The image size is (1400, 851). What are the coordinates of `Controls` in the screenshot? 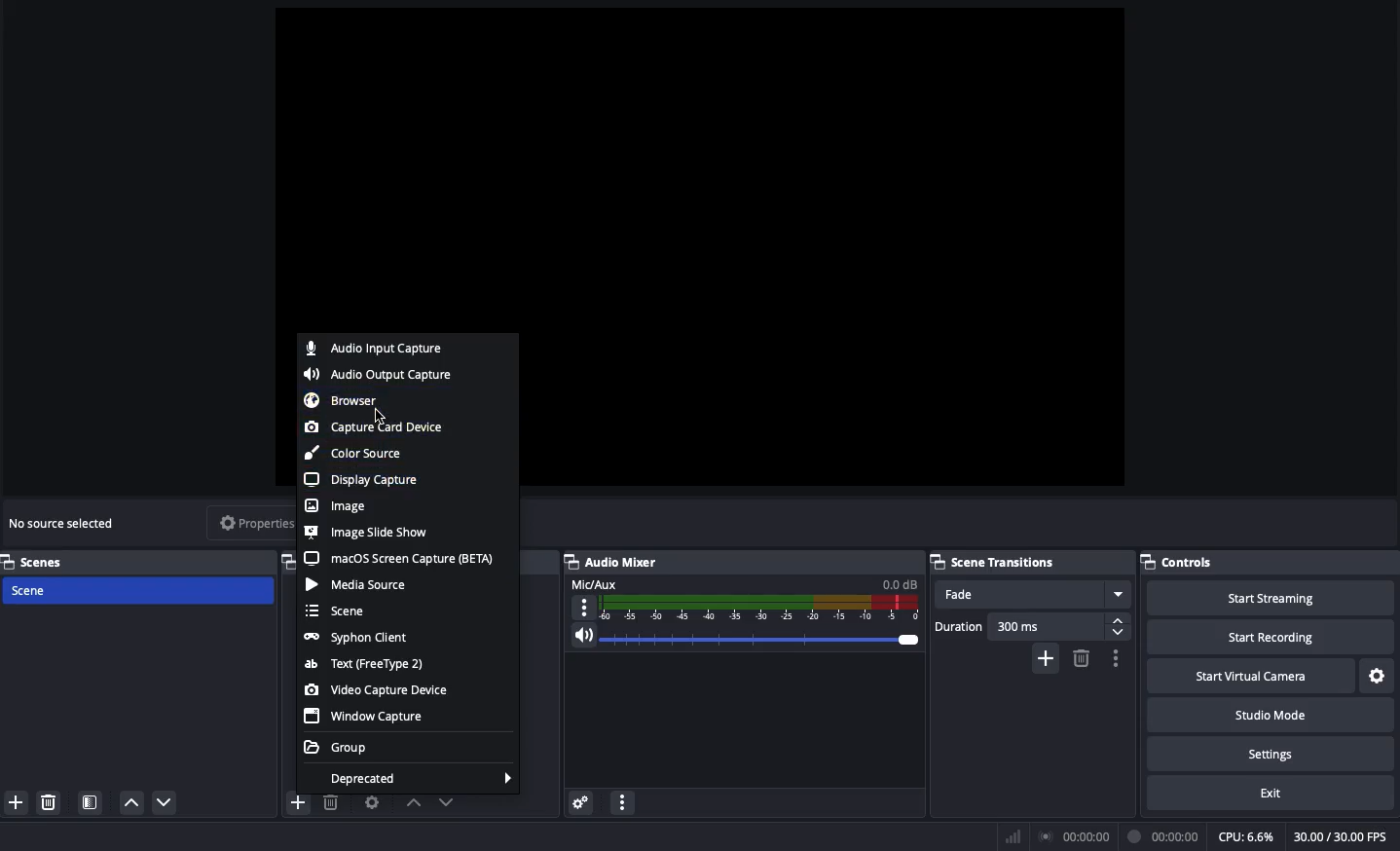 It's located at (1179, 562).